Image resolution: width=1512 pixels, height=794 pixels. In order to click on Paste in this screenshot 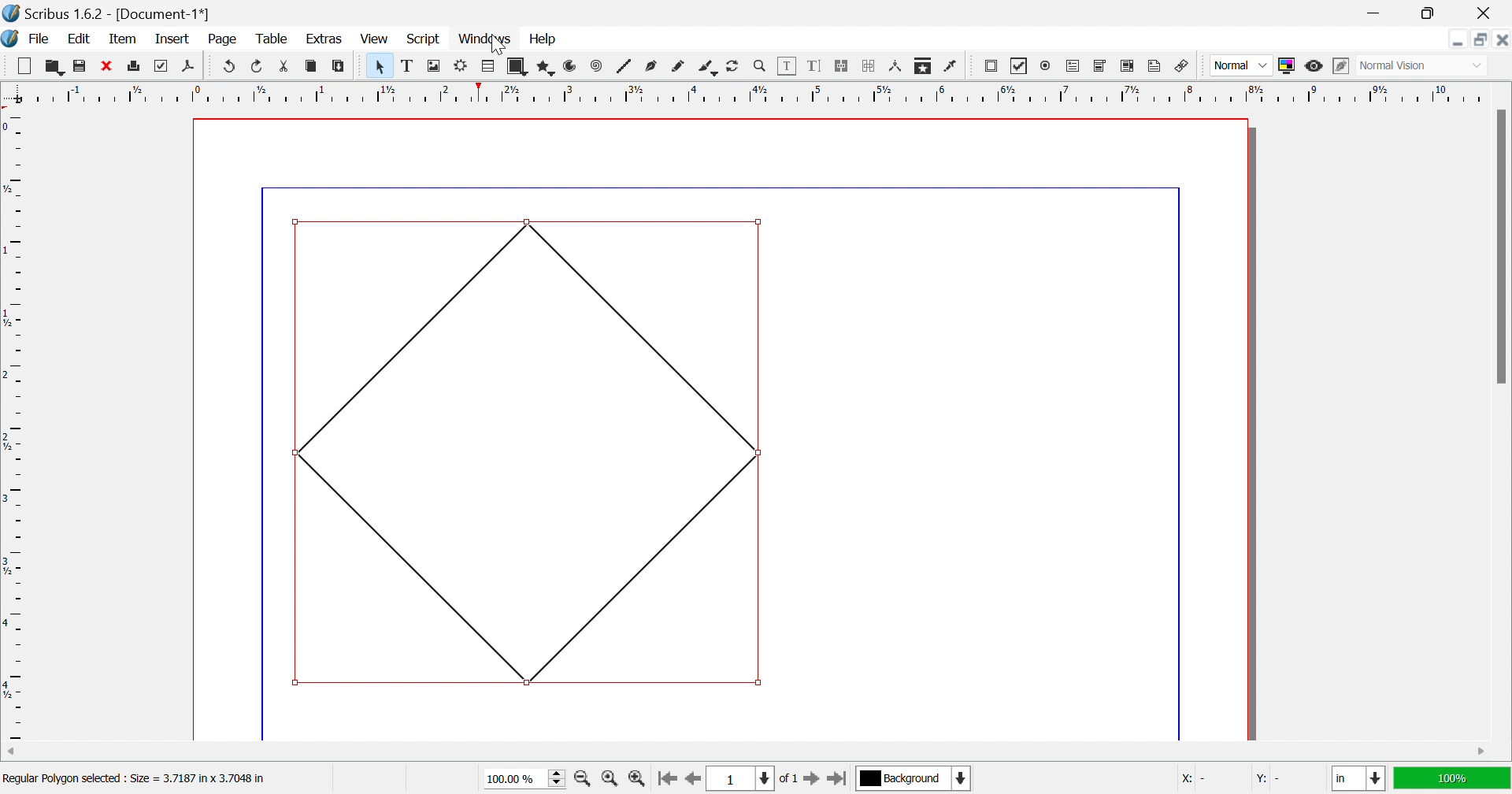, I will do `click(341, 66)`.